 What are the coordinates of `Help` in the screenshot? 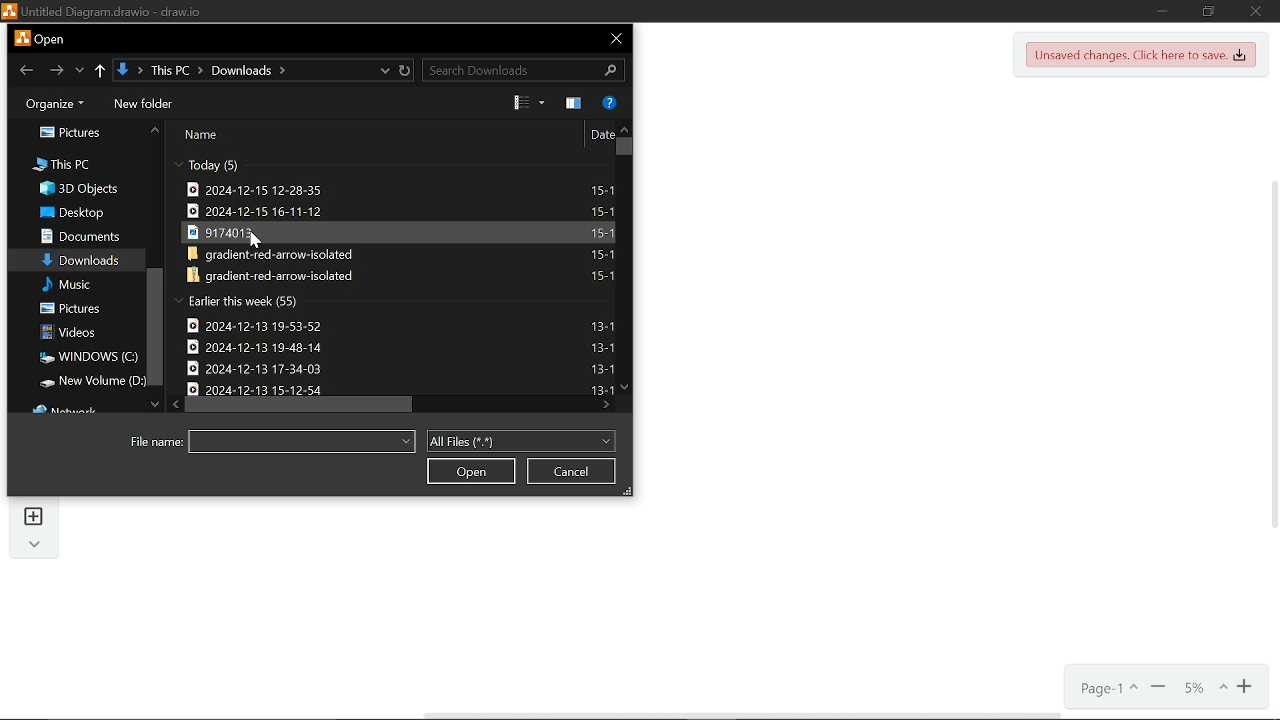 It's located at (613, 104).